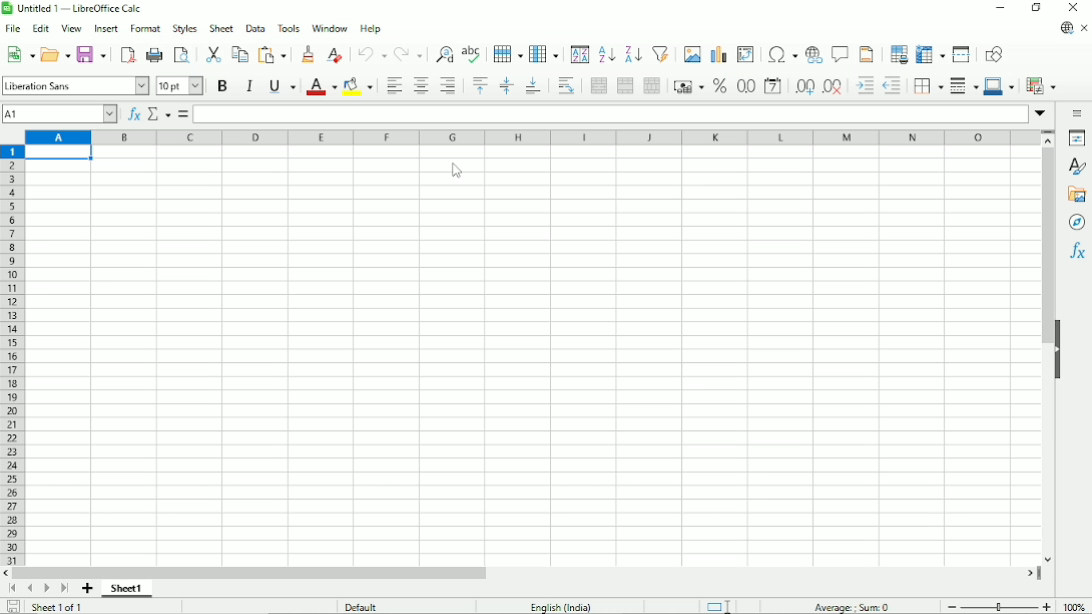  Describe the element at coordinates (840, 53) in the screenshot. I see `Insert comment` at that location.